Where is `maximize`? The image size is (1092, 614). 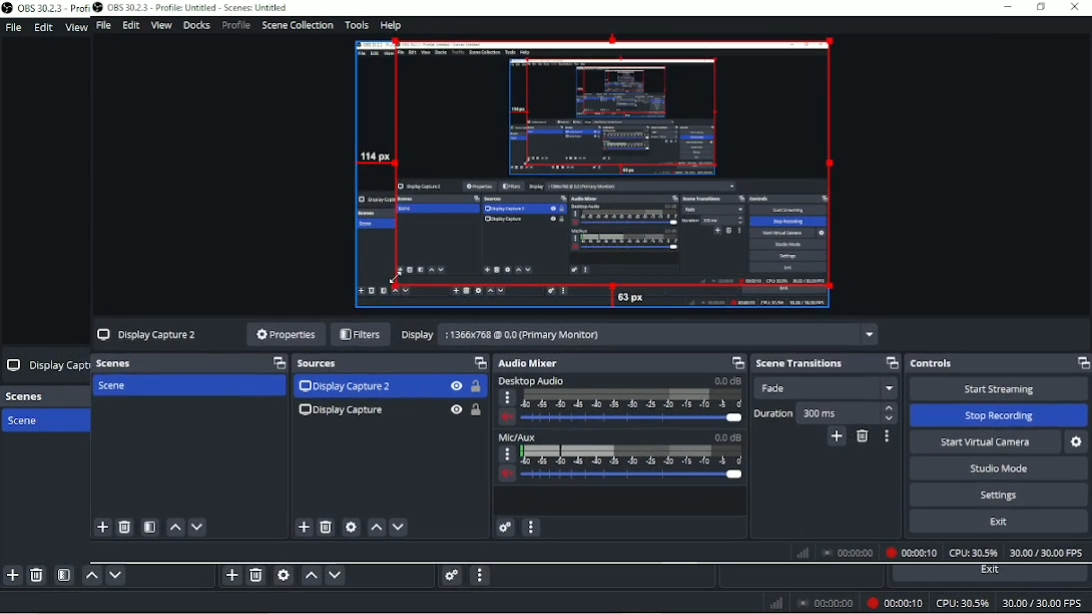
maximize is located at coordinates (737, 364).